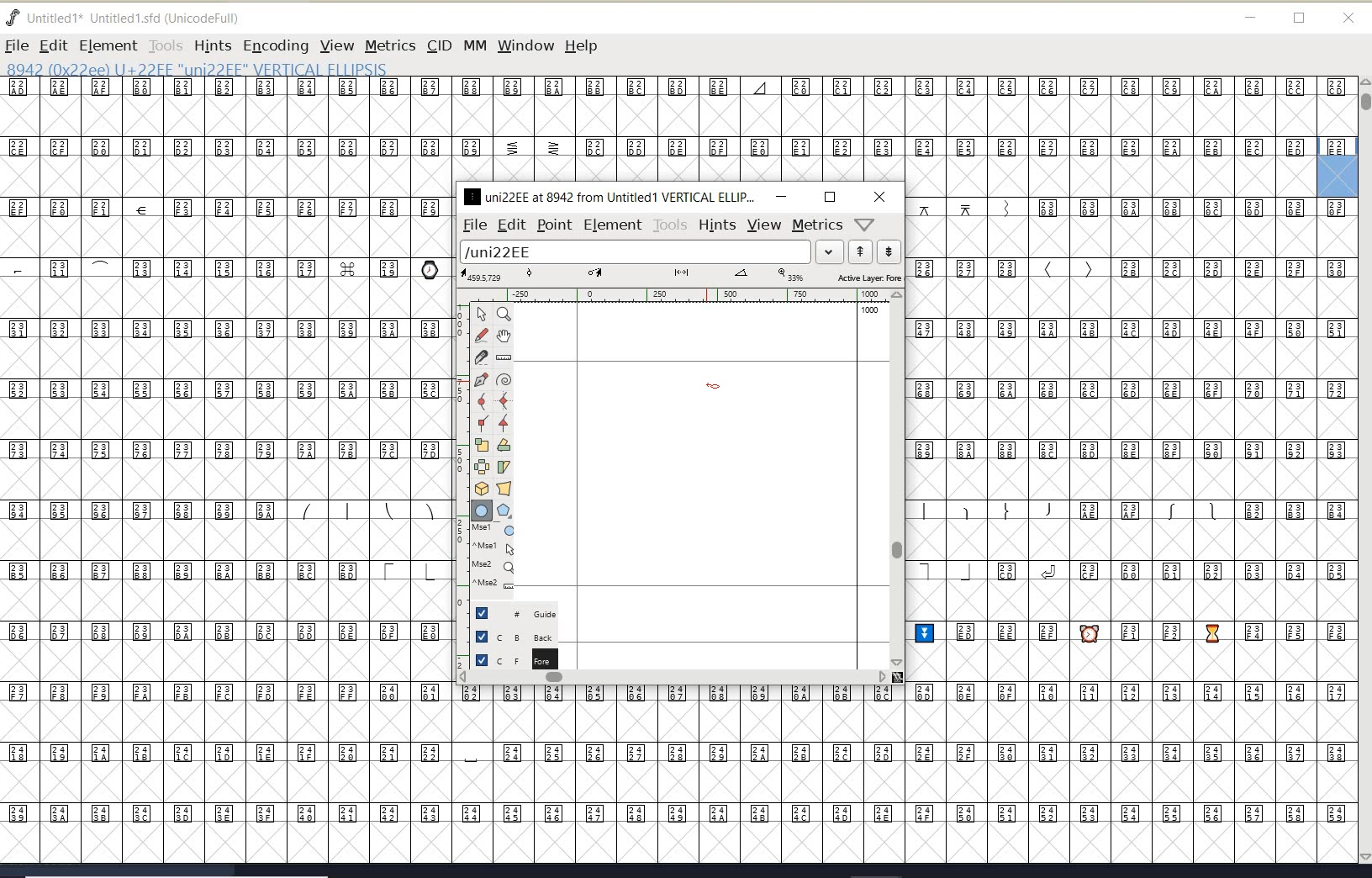  I want to click on scale the selection, so click(482, 445).